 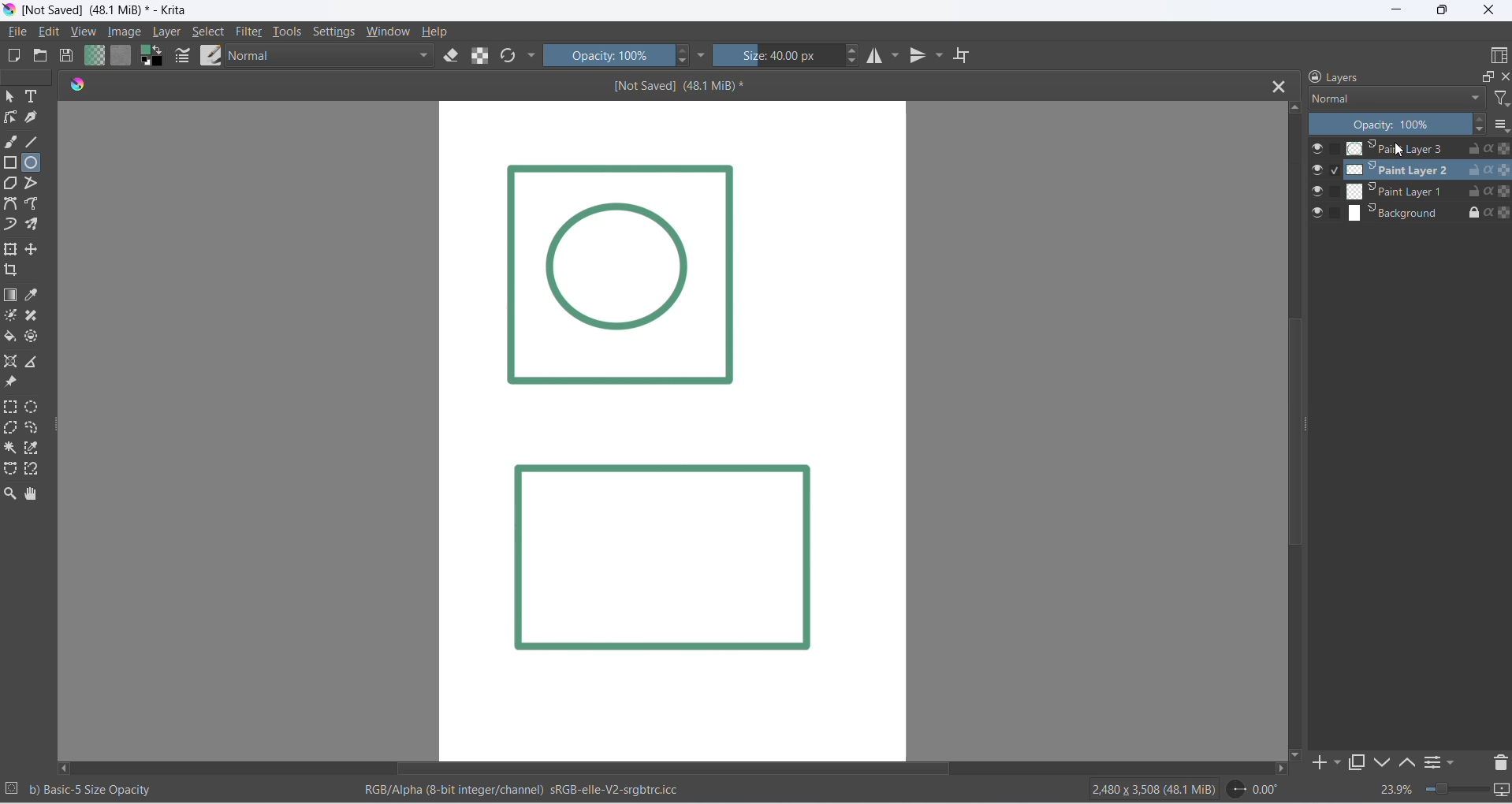 What do you see at coordinates (1357, 764) in the screenshot?
I see `maximize tab` at bounding box center [1357, 764].